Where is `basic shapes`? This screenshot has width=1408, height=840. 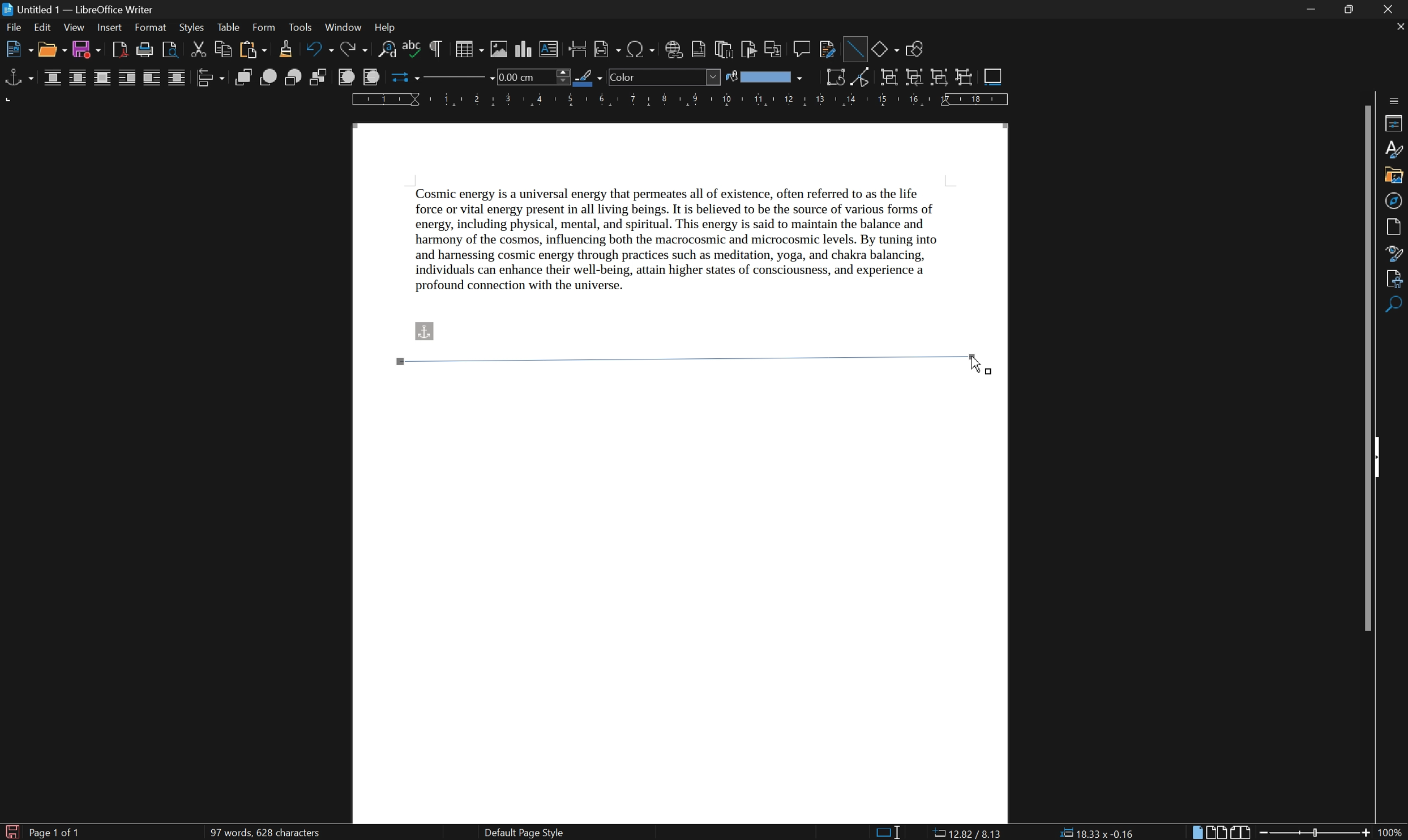 basic shapes is located at coordinates (885, 48).